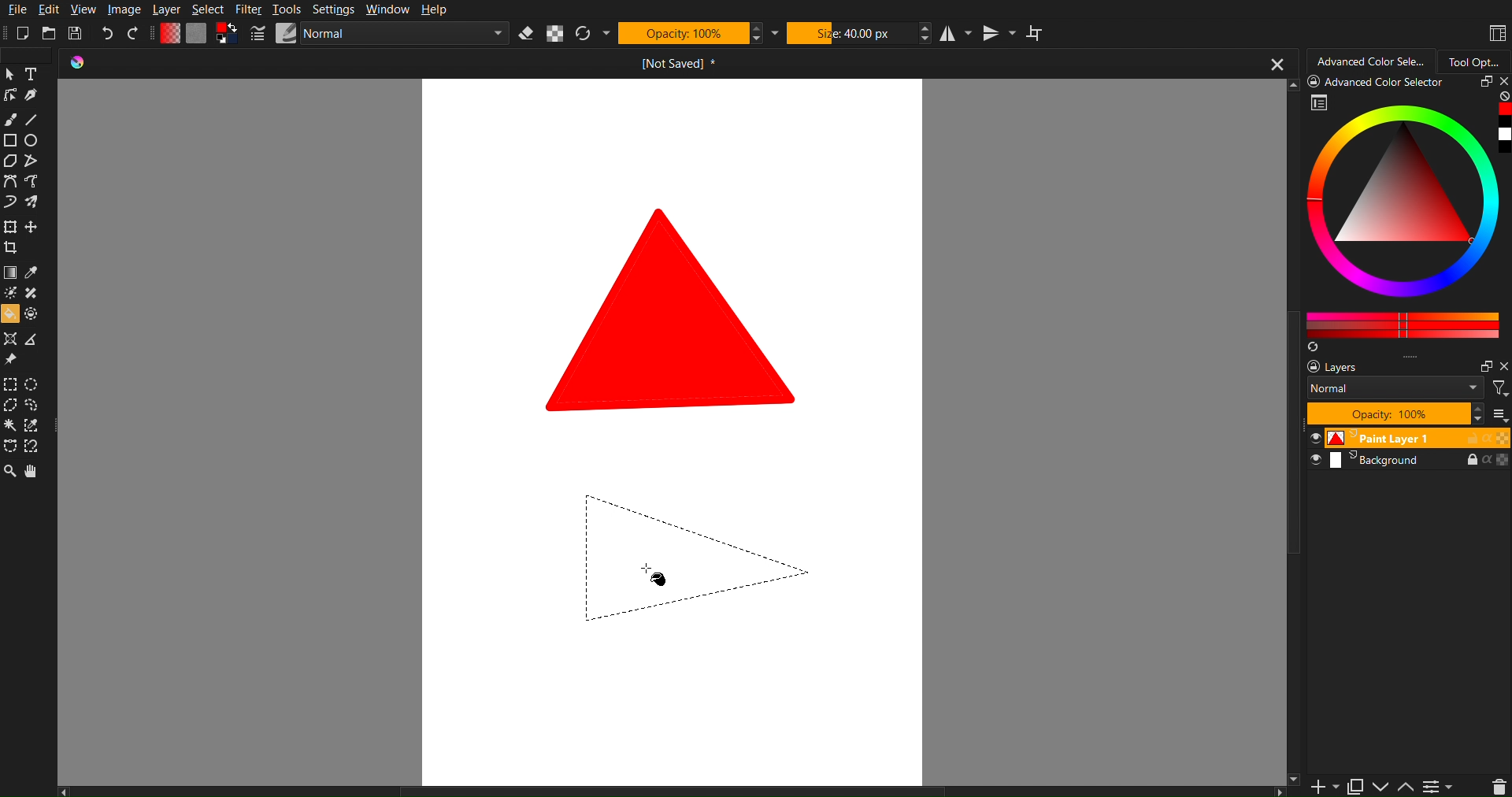 The image size is (1512, 797). What do you see at coordinates (9, 183) in the screenshot?
I see `Picker` at bounding box center [9, 183].